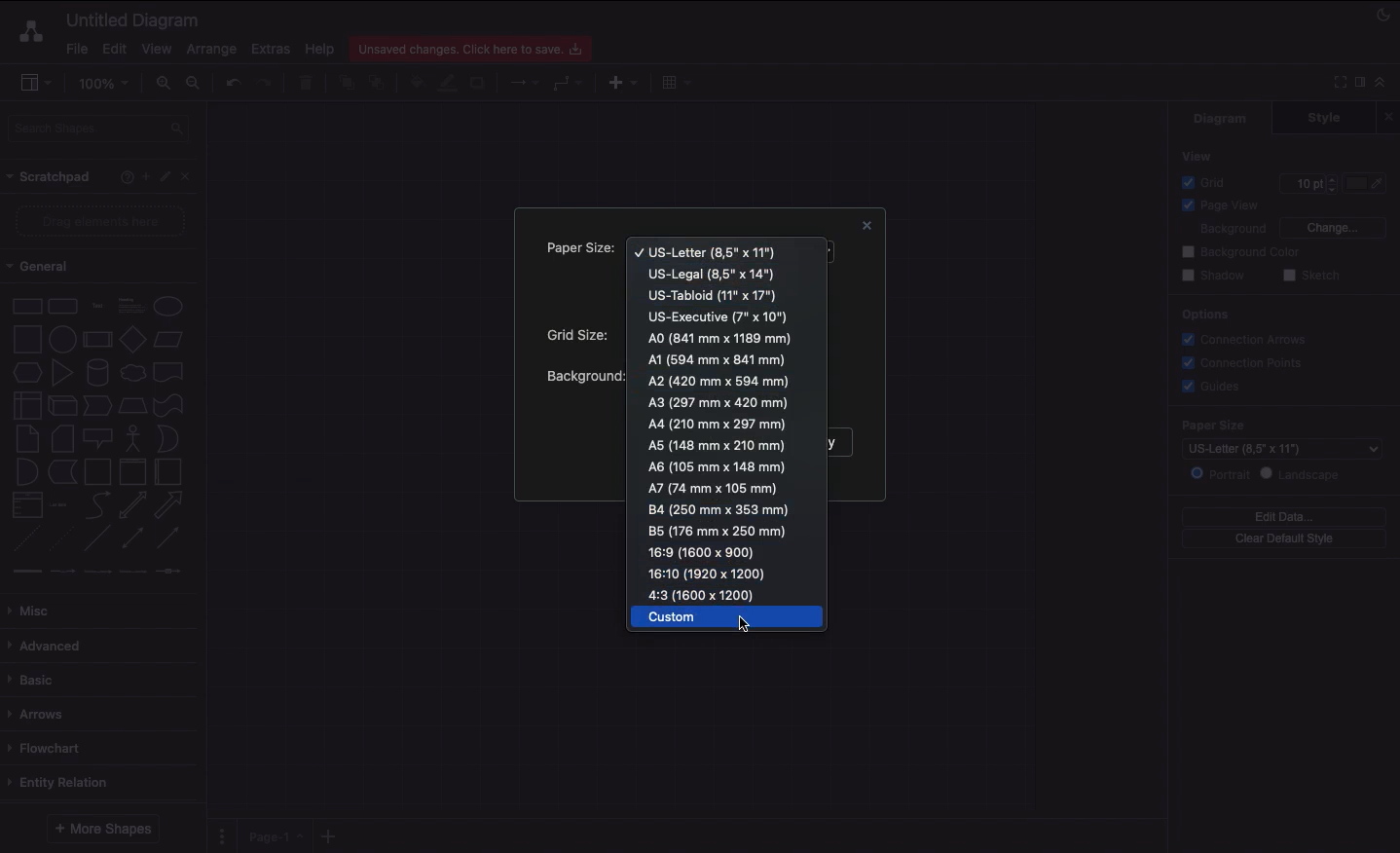 The width and height of the screenshot is (1400, 853). What do you see at coordinates (24, 572) in the screenshot?
I see `connector 1` at bounding box center [24, 572].